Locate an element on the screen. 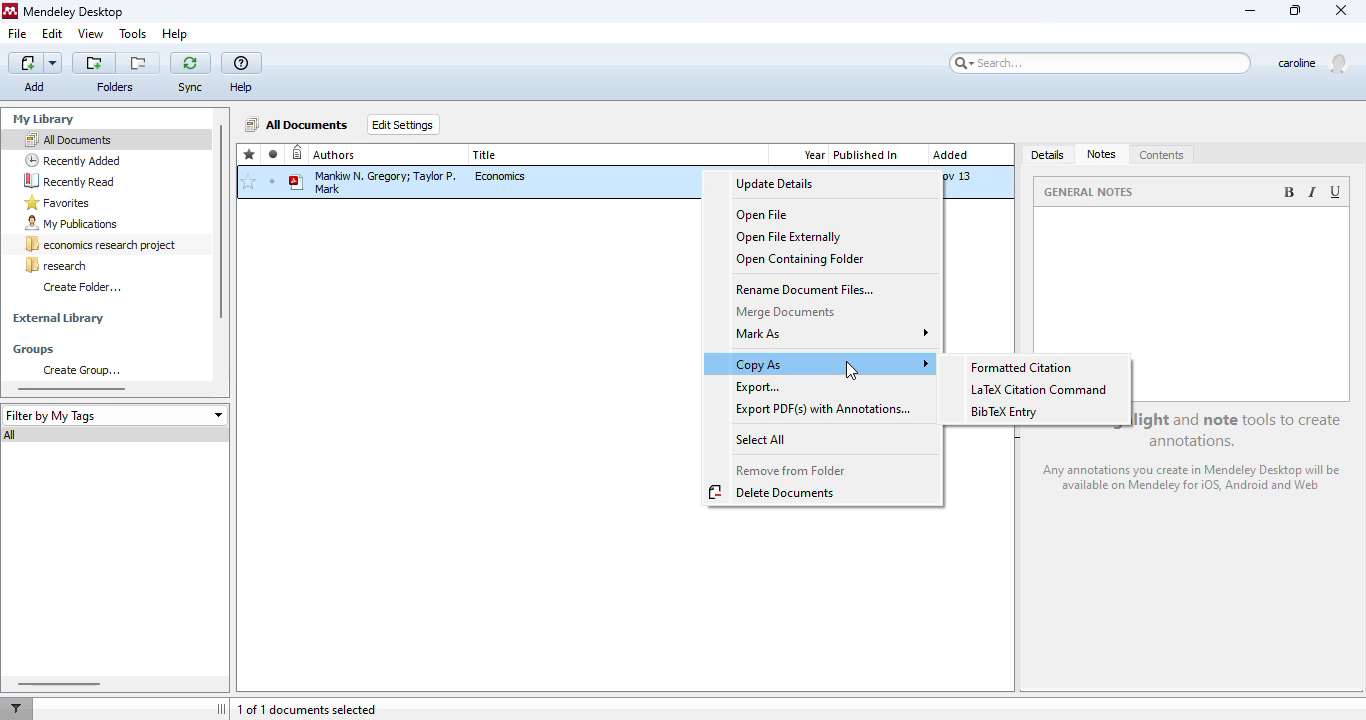  recently added is located at coordinates (73, 160).